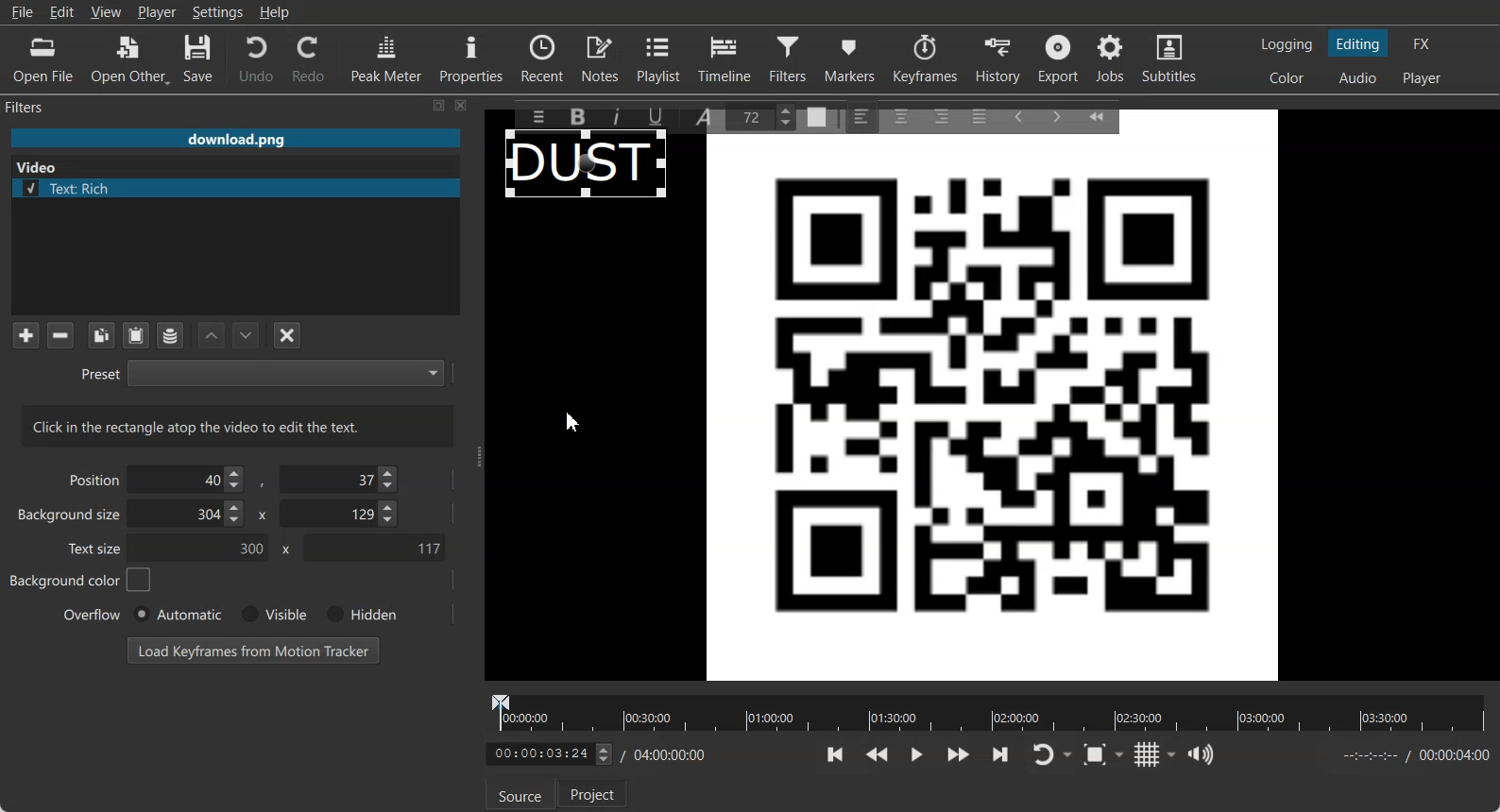 This screenshot has width=1500, height=812. I want to click on Video, so click(41, 165).